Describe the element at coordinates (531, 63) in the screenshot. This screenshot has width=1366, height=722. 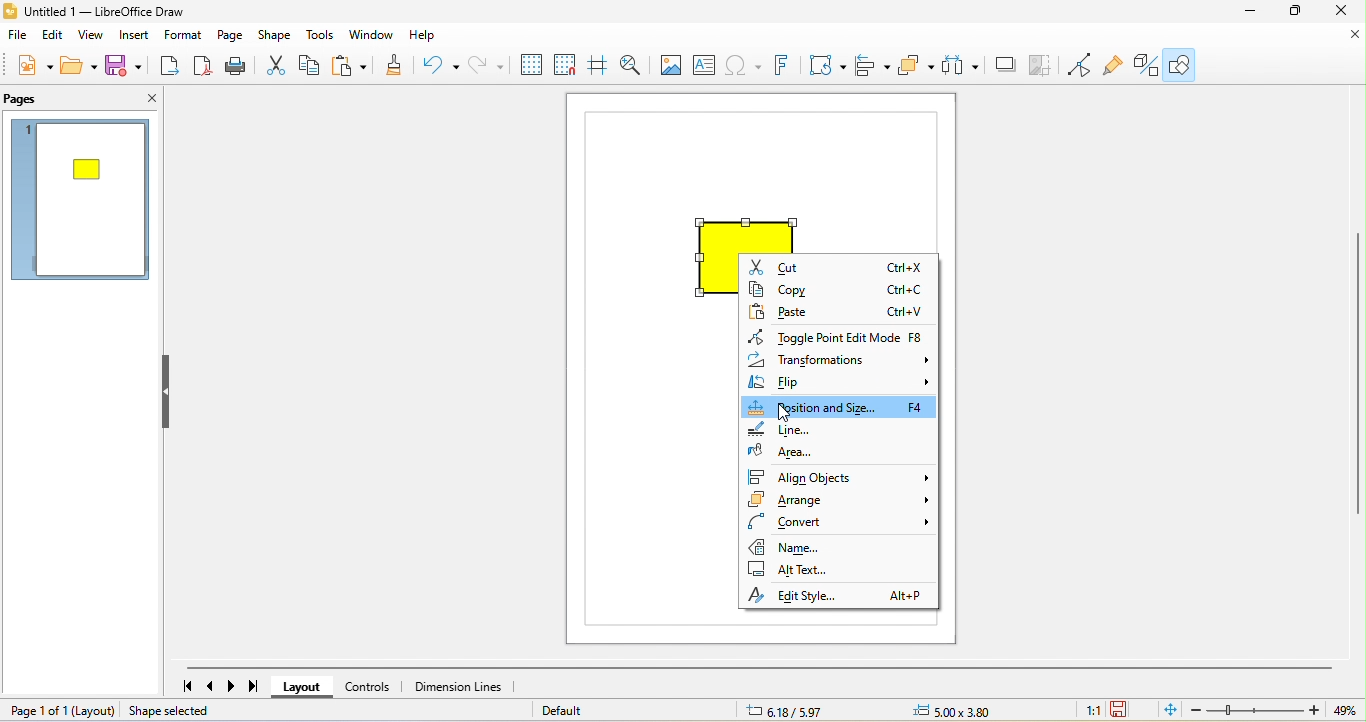
I see `display grid` at that location.